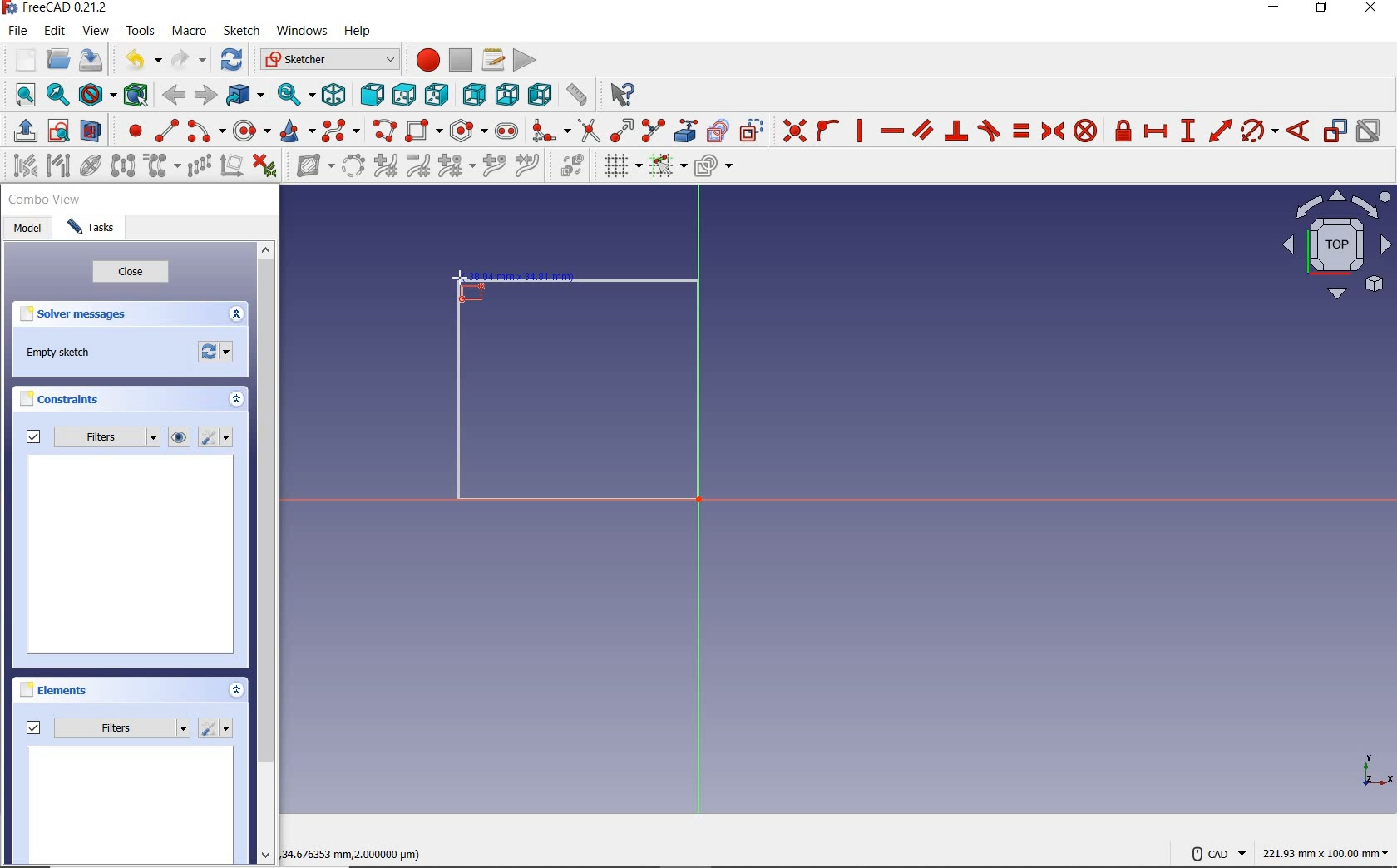 The image size is (1397, 868). What do you see at coordinates (27, 229) in the screenshot?
I see `model` at bounding box center [27, 229].